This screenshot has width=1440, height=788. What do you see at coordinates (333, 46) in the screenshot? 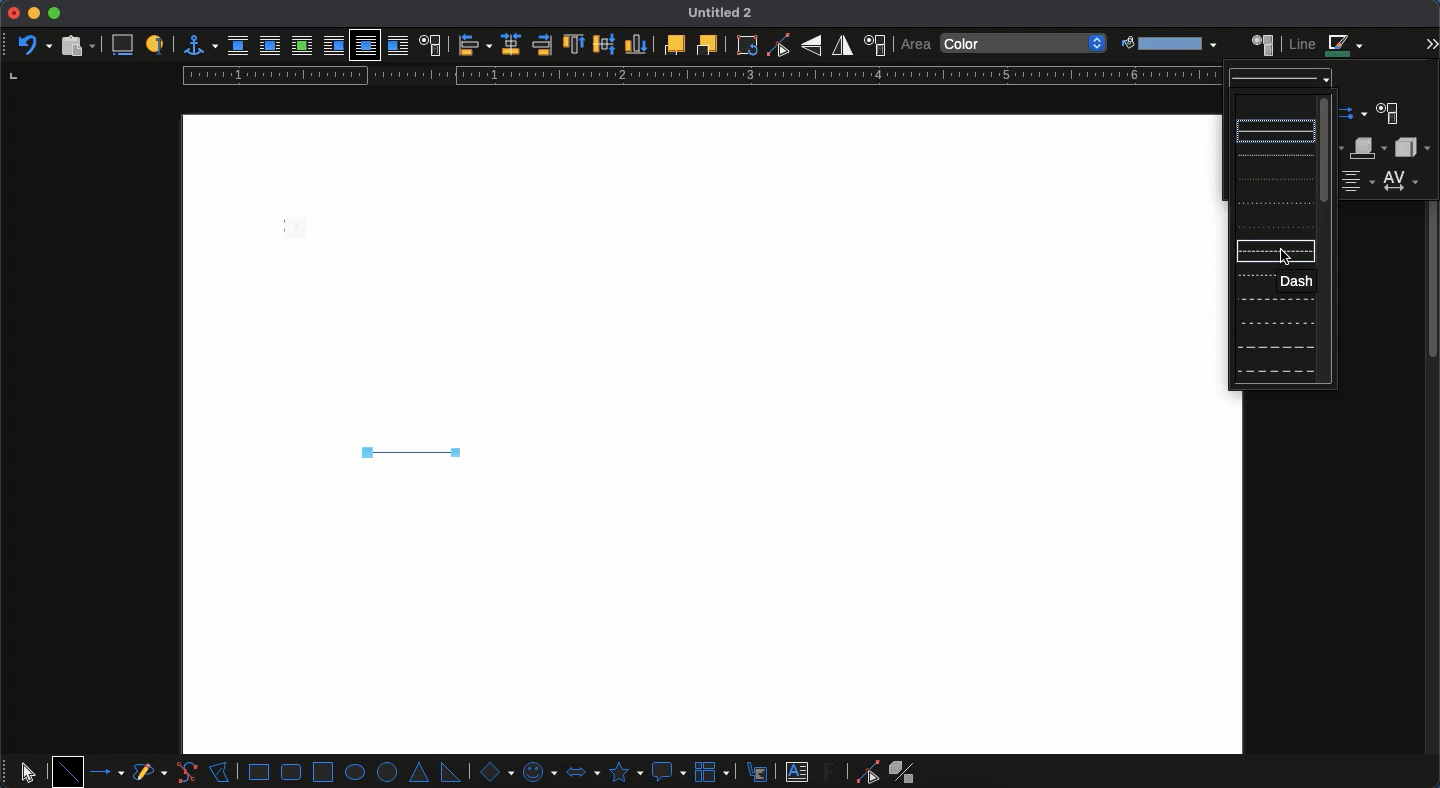
I see `before` at bounding box center [333, 46].